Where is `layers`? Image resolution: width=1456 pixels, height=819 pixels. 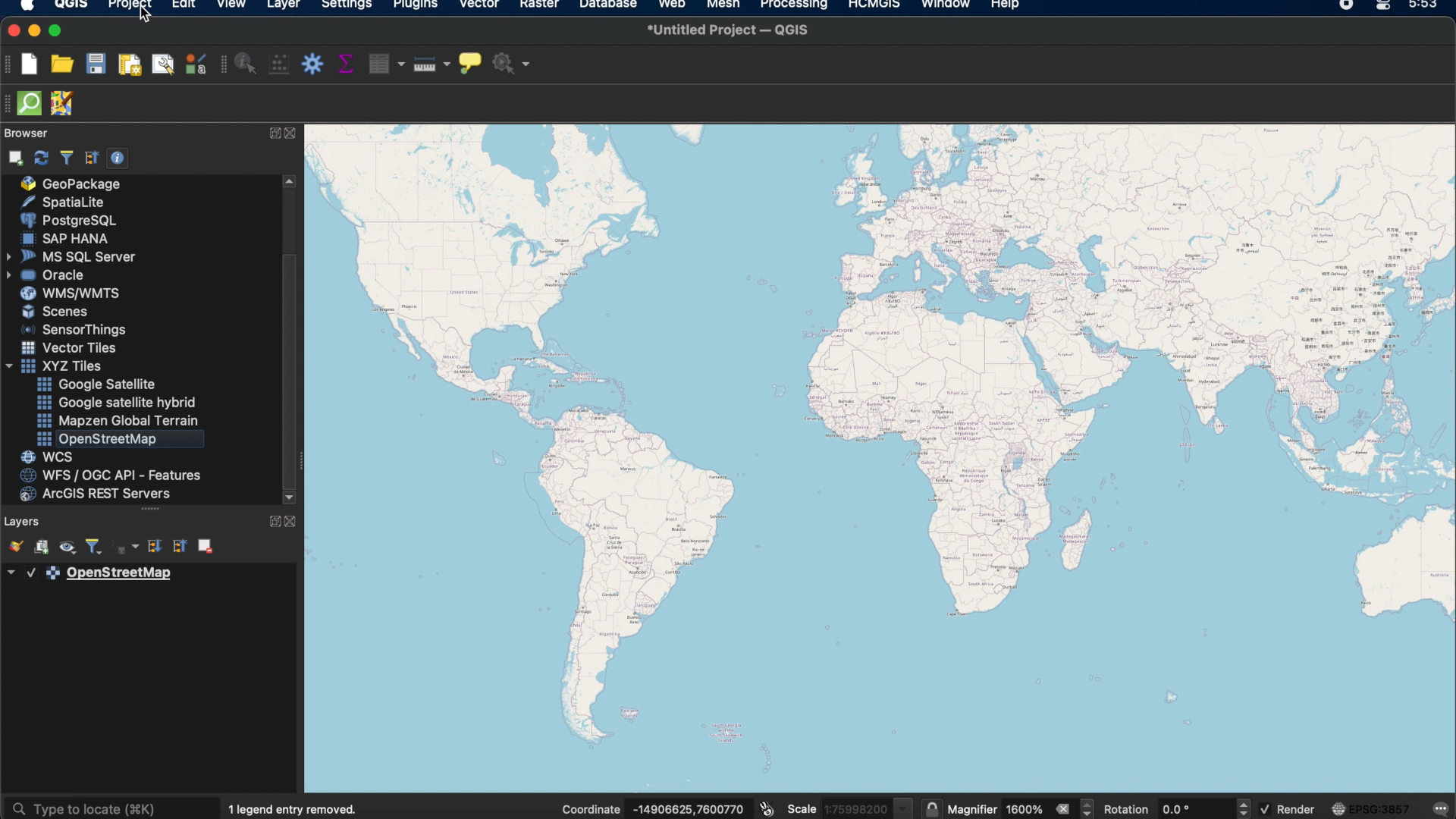 layers is located at coordinates (21, 520).